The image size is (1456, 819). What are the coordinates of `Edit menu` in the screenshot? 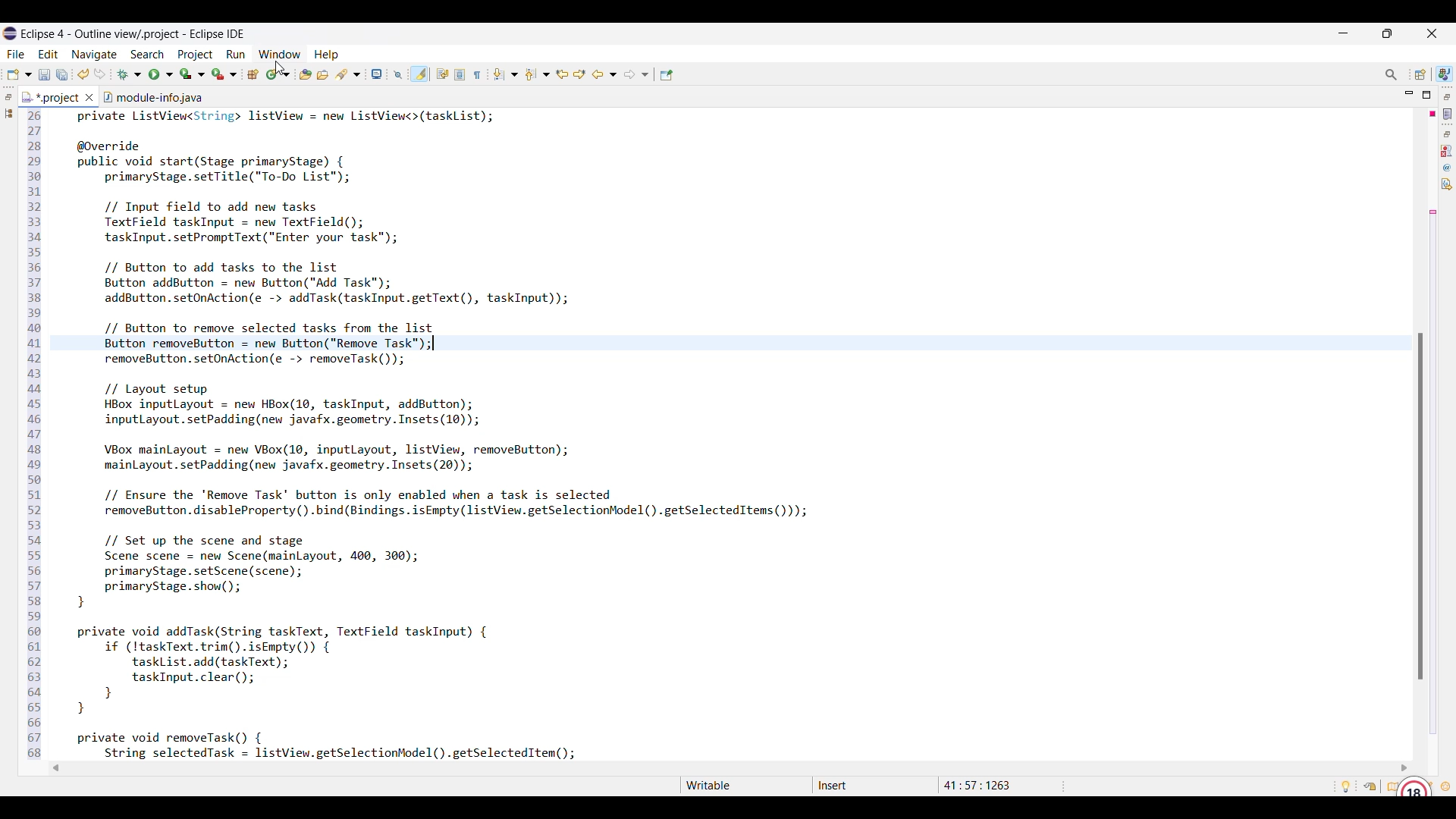 It's located at (49, 55).